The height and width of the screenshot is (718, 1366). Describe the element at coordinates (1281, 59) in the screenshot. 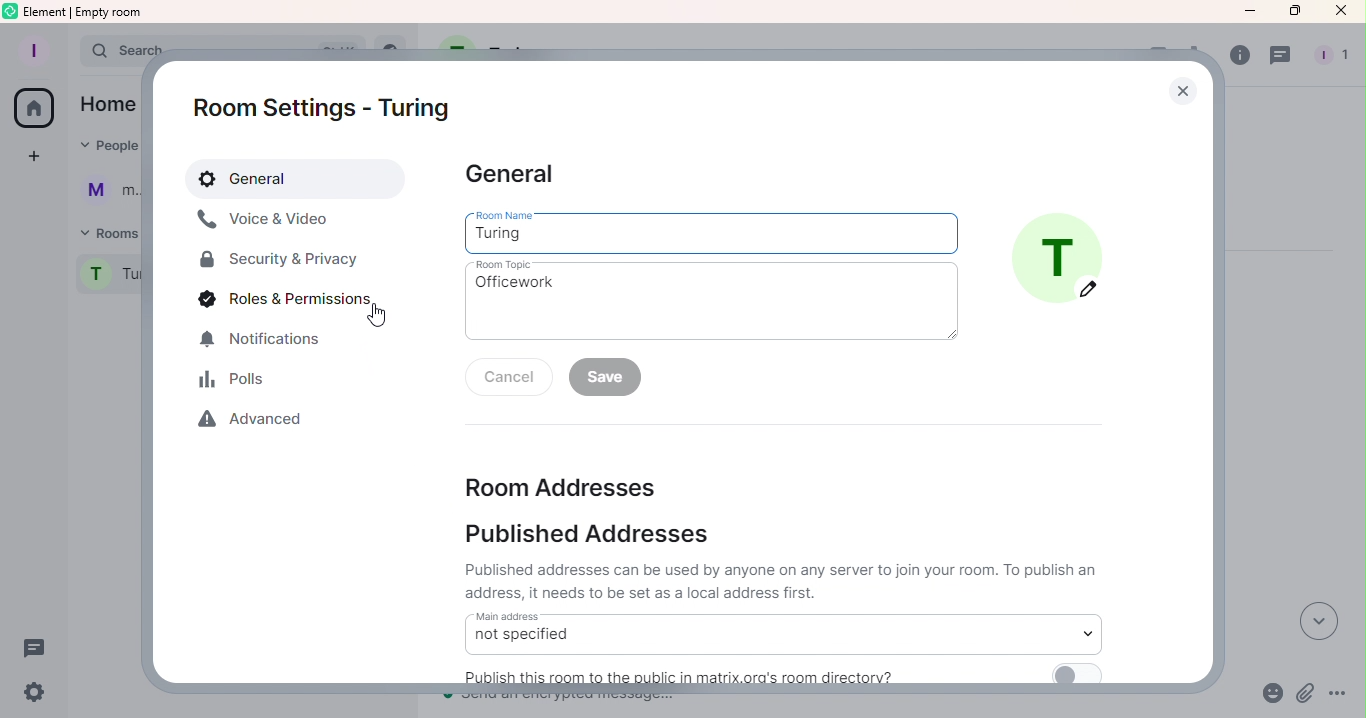

I see `Threads` at that location.